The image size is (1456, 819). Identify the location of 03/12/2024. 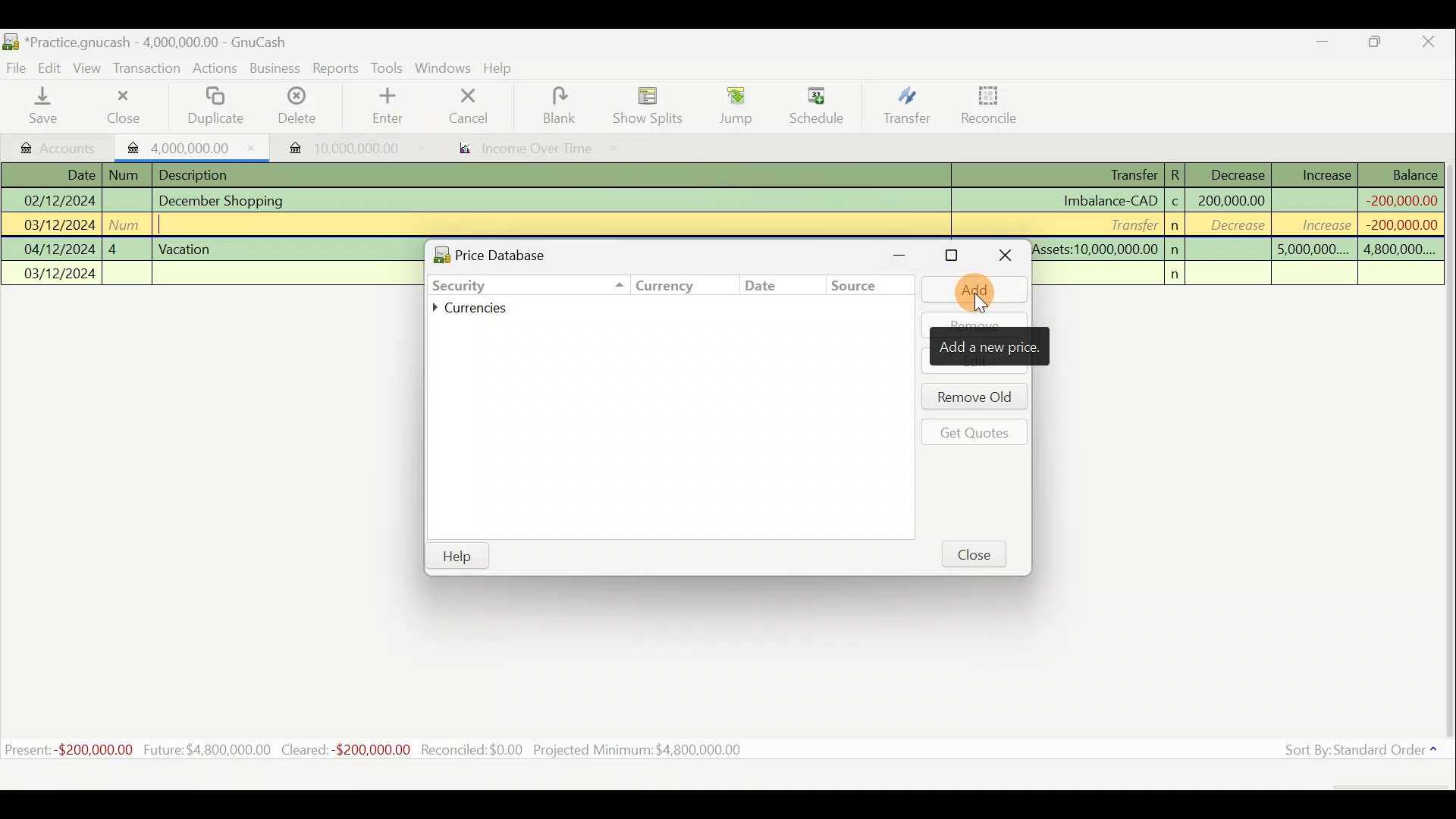
(60, 227).